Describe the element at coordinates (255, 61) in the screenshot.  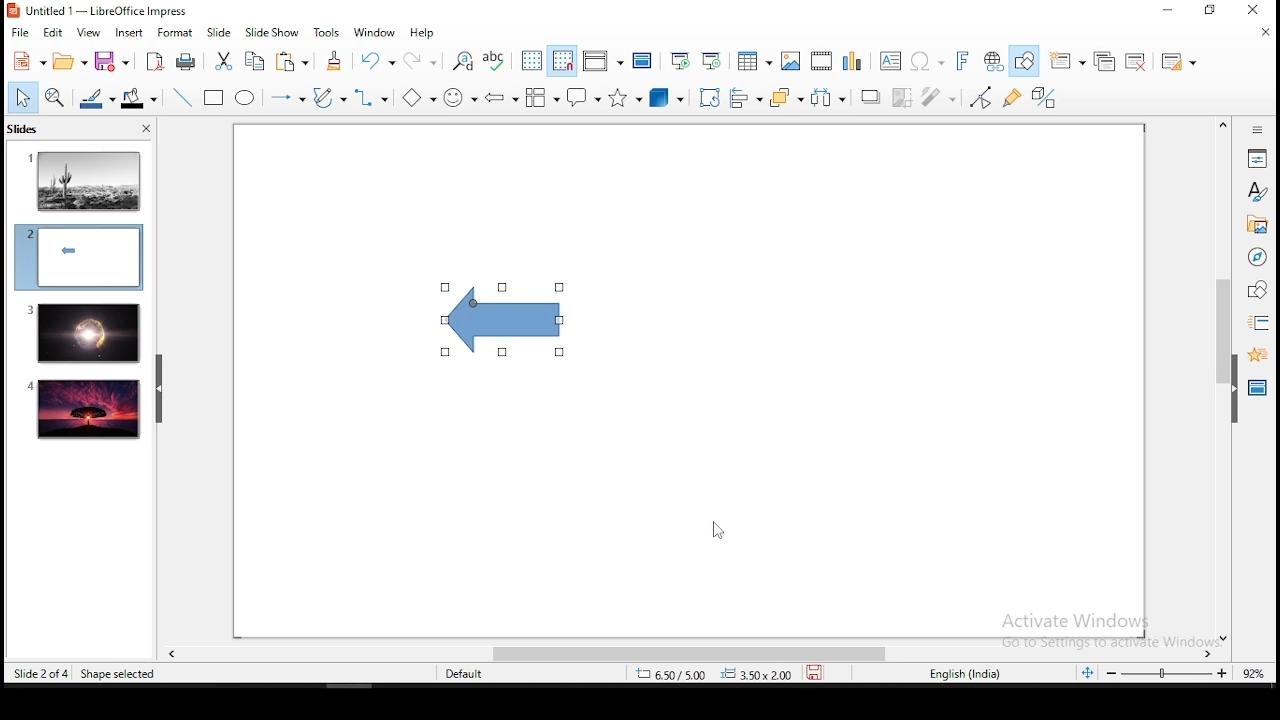
I see `copy` at that location.